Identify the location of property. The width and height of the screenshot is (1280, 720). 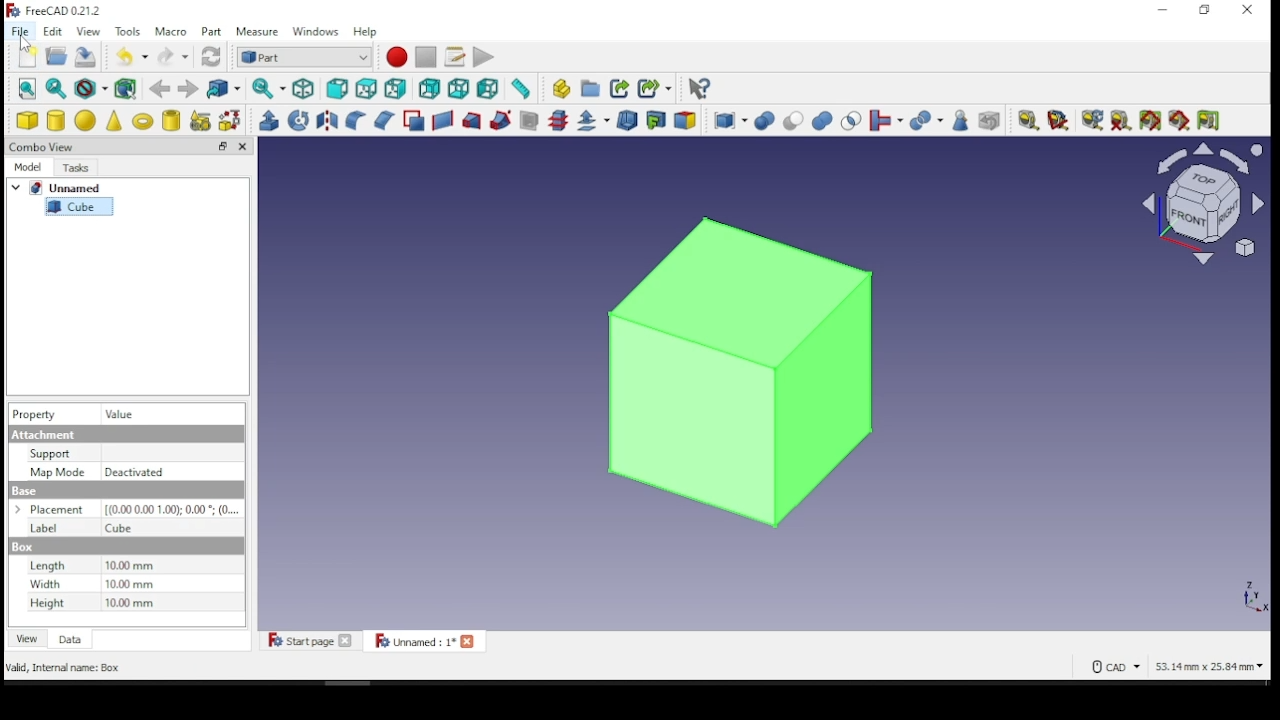
(35, 413).